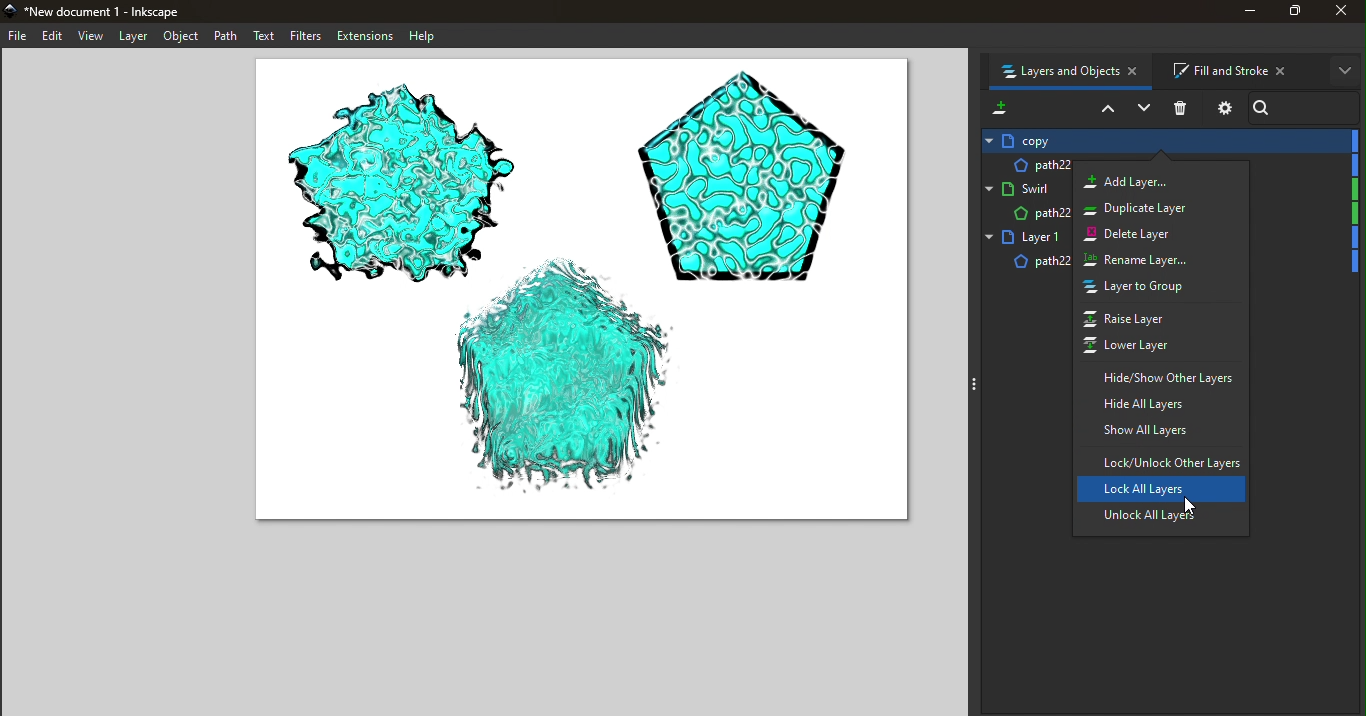  Describe the element at coordinates (184, 36) in the screenshot. I see `Object` at that location.